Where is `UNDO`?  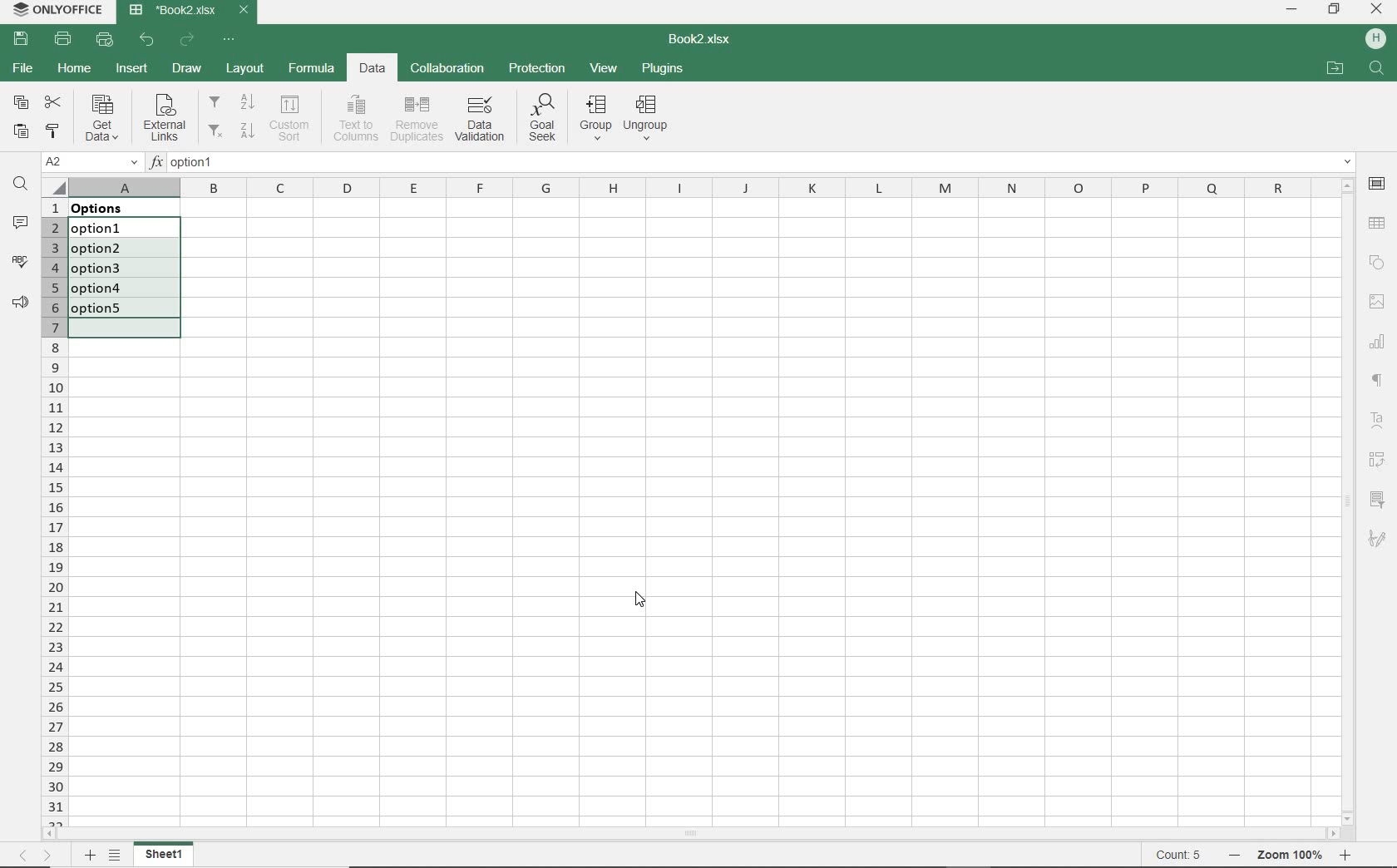 UNDO is located at coordinates (149, 40).